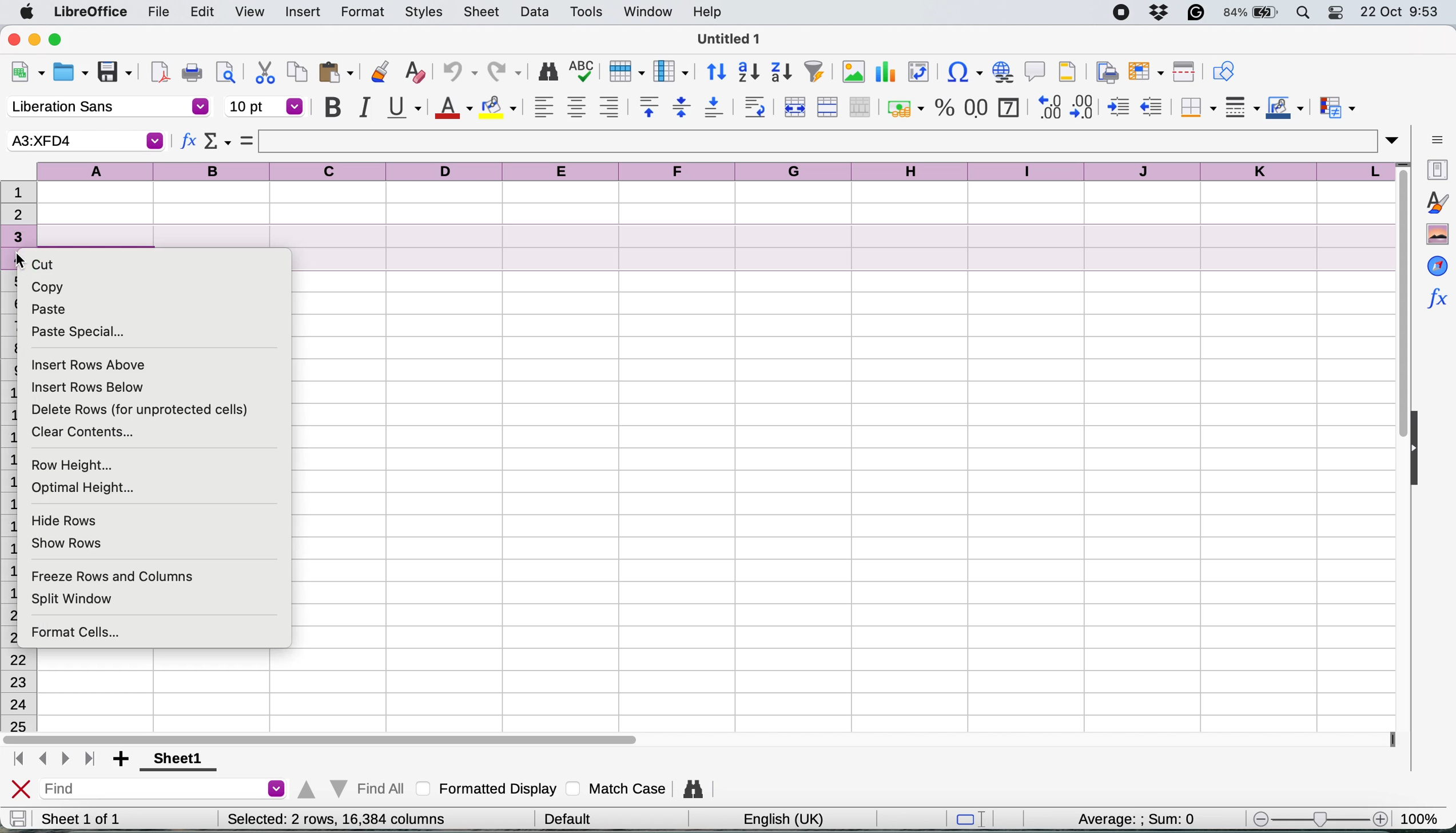 The height and width of the screenshot is (833, 1456). I want to click on save, so click(18, 818).